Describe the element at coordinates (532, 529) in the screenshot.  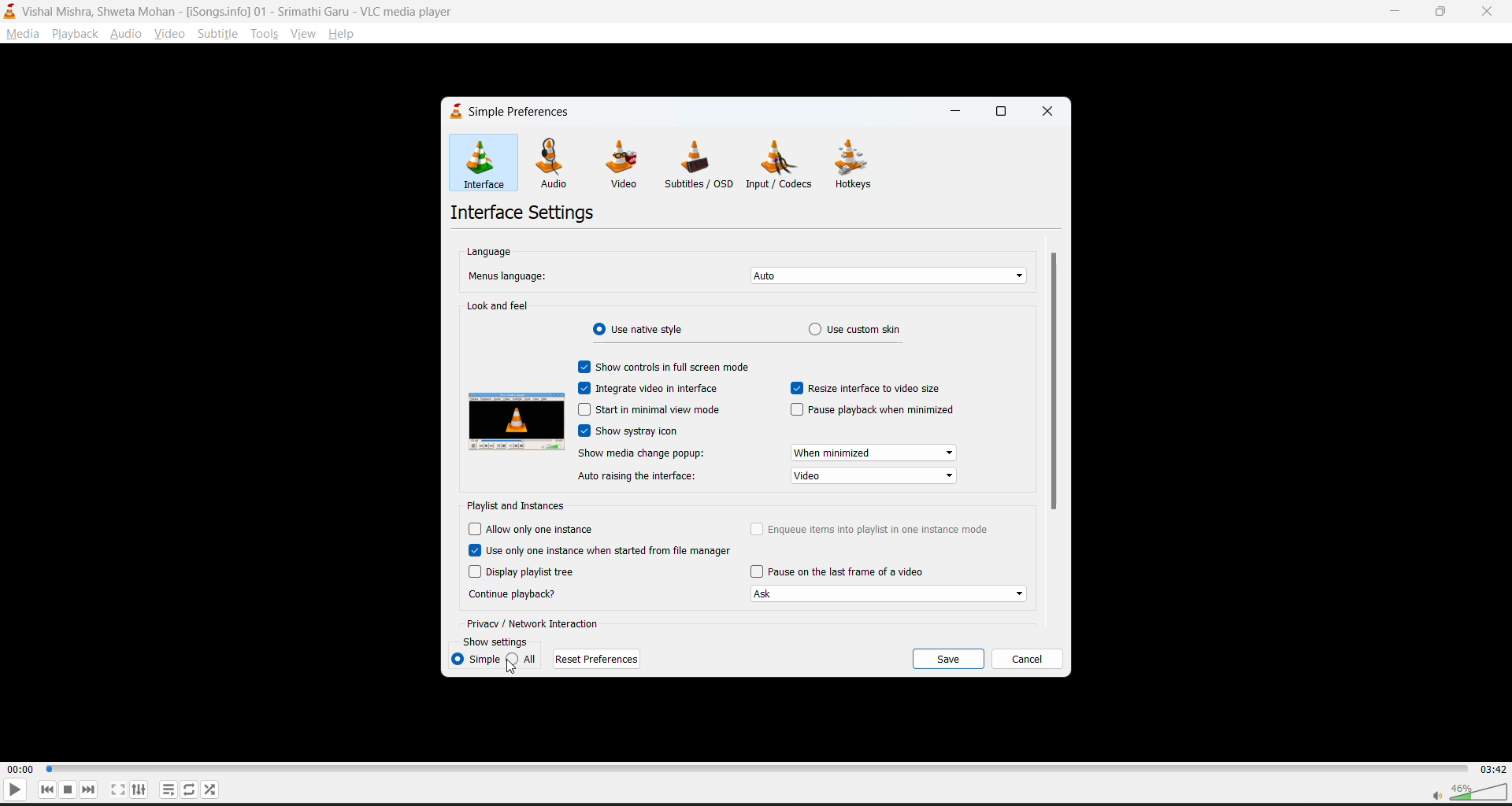
I see `allow only one instance` at that location.